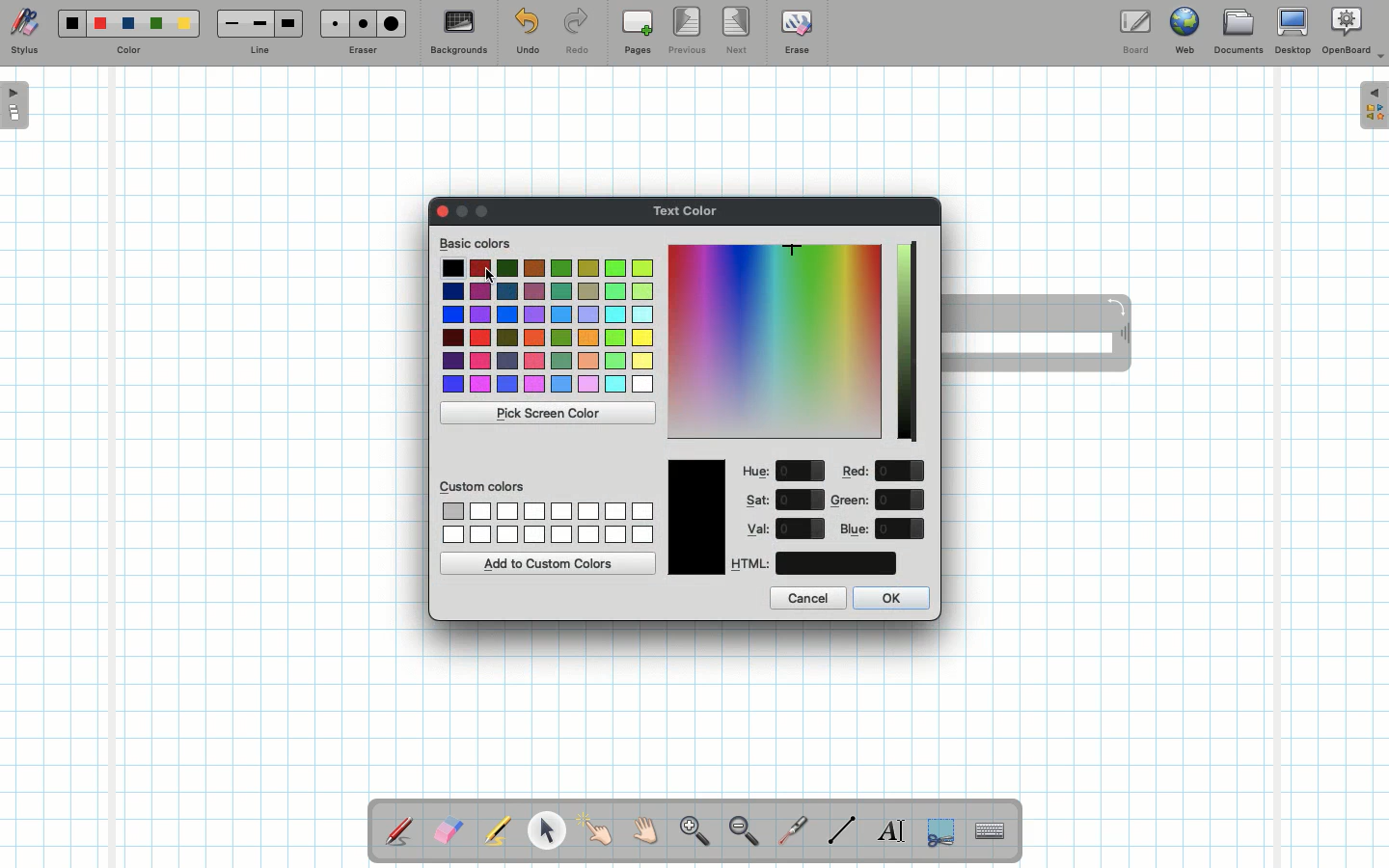 The width and height of the screenshot is (1389, 868). What do you see at coordinates (101, 24) in the screenshot?
I see `Red` at bounding box center [101, 24].